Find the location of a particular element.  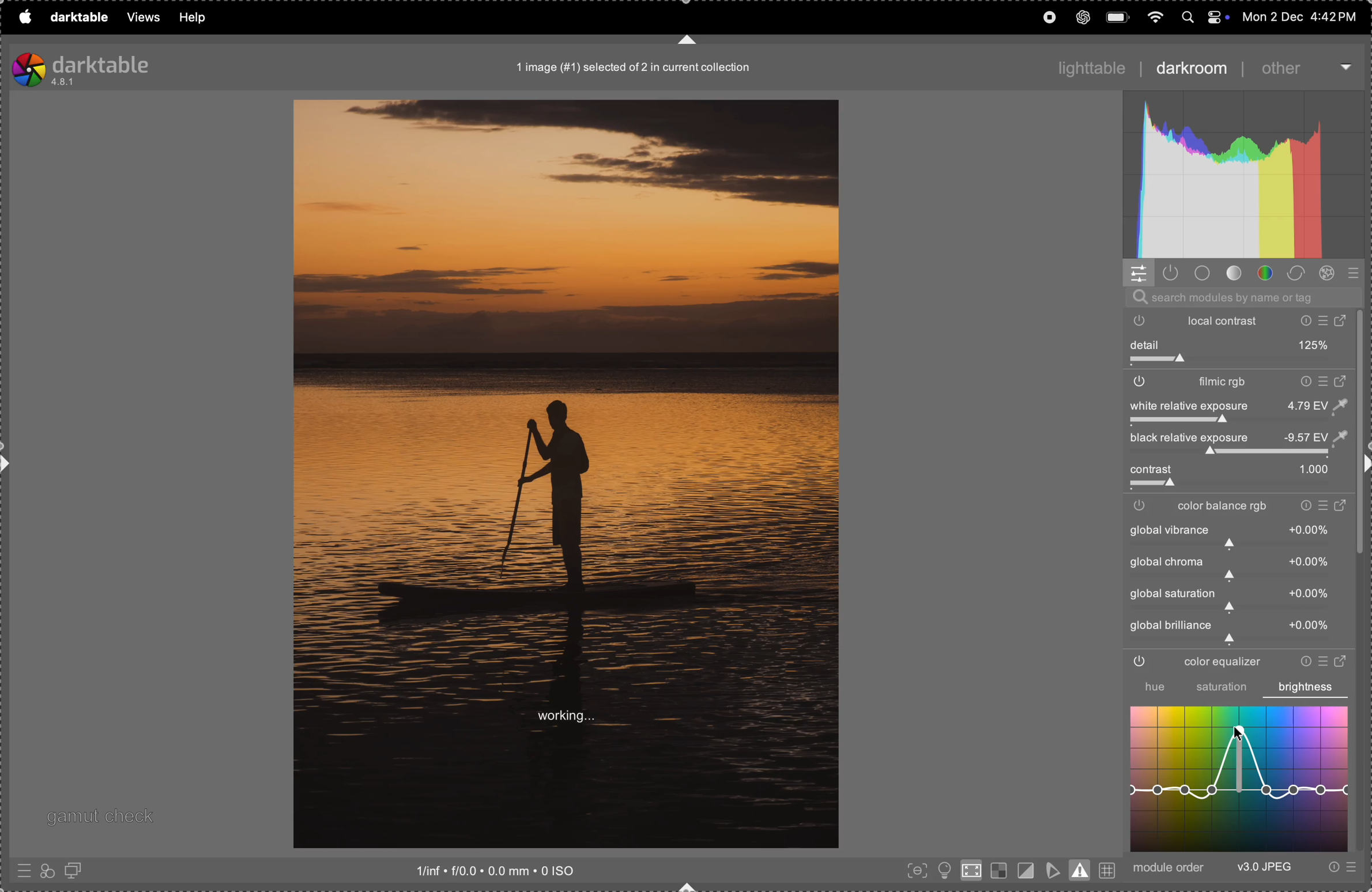

darktable is located at coordinates (76, 16).